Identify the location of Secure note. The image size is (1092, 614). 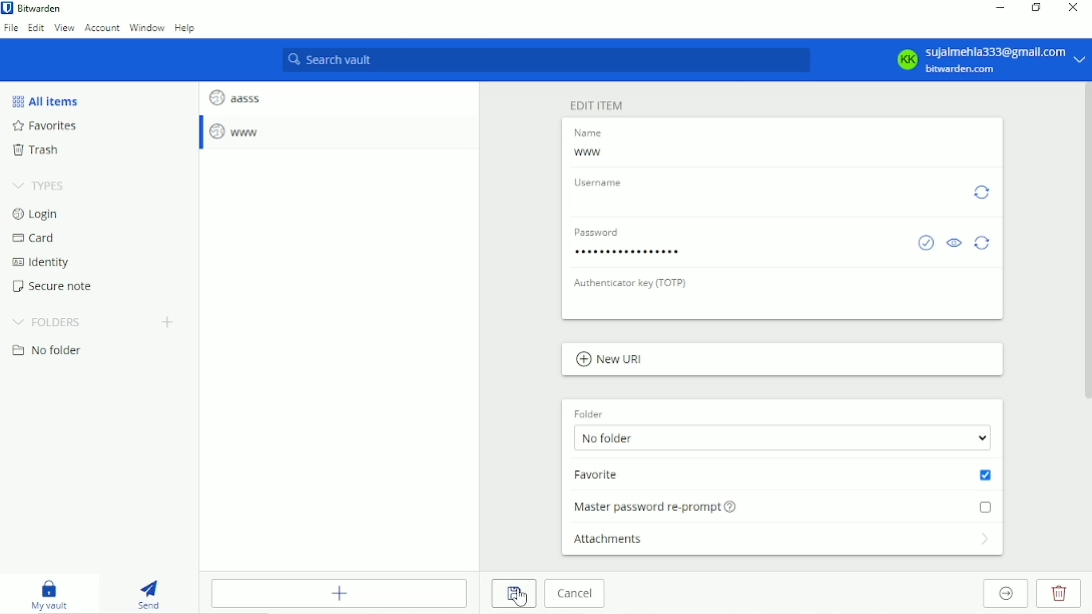
(57, 286).